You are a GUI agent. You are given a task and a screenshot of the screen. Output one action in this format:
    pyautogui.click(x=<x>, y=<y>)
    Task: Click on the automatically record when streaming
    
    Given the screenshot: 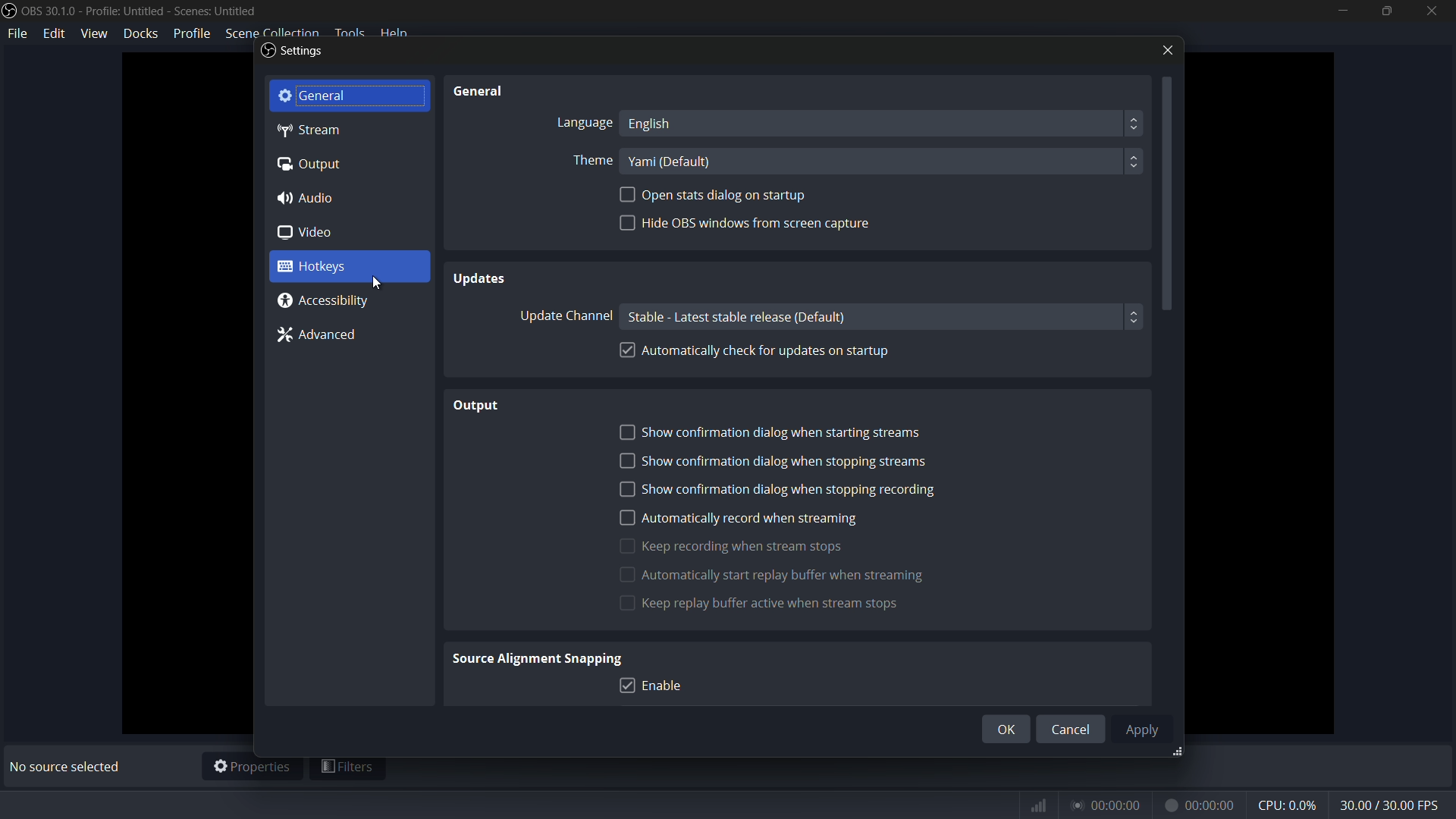 What is the action you would take?
    pyautogui.click(x=740, y=518)
    